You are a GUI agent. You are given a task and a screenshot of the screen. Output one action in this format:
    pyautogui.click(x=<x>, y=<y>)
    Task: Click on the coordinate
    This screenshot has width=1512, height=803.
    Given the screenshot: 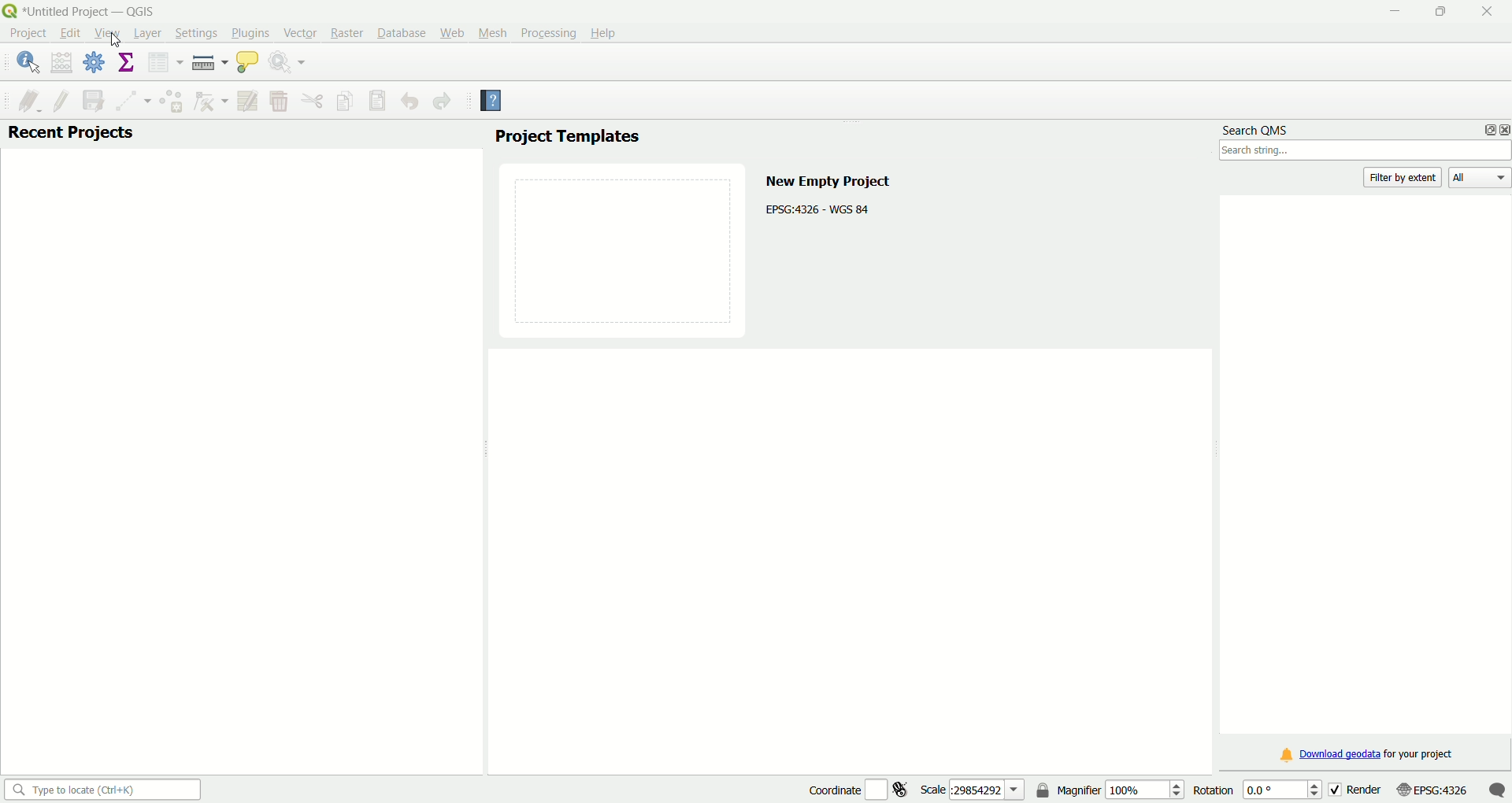 What is the action you would take?
    pyautogui.click(x=832, y=788)
    